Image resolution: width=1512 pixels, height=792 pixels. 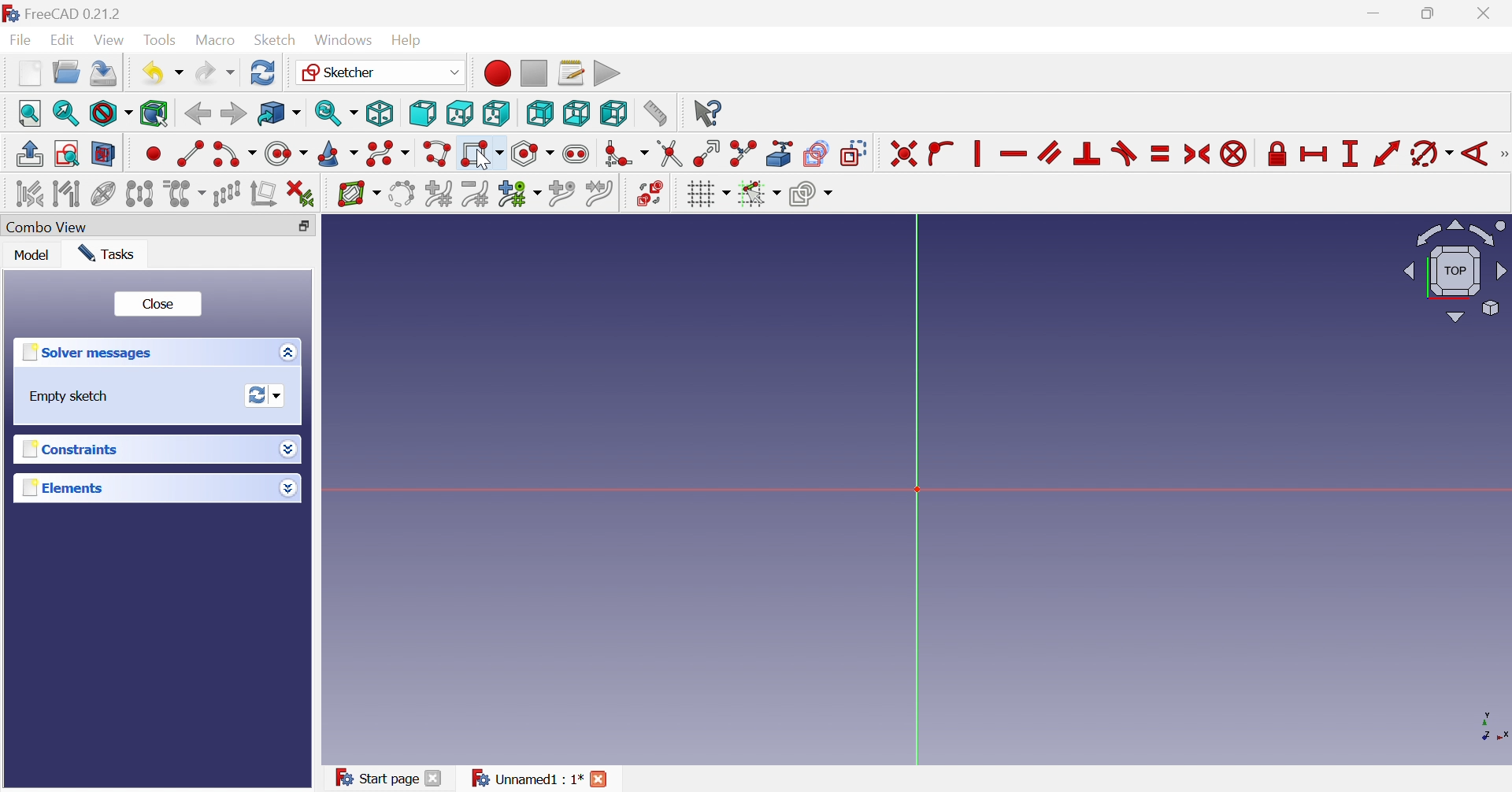 What do you see at coordinates (159, 306) in the screenshot?
I see `Close` at bounding box center [159, 306].